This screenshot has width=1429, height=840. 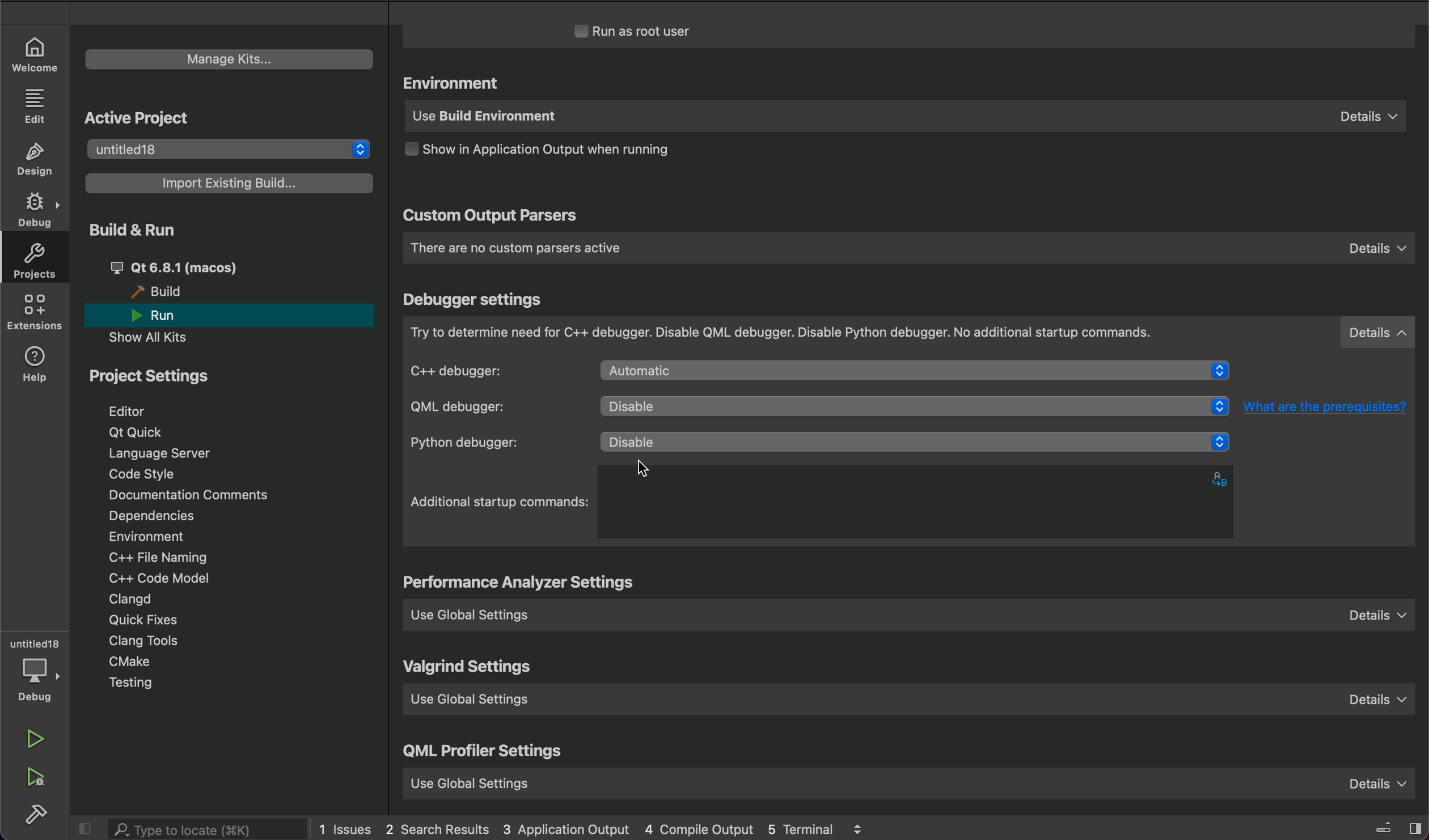 I want to click on qt , so click(x=139, y=431).